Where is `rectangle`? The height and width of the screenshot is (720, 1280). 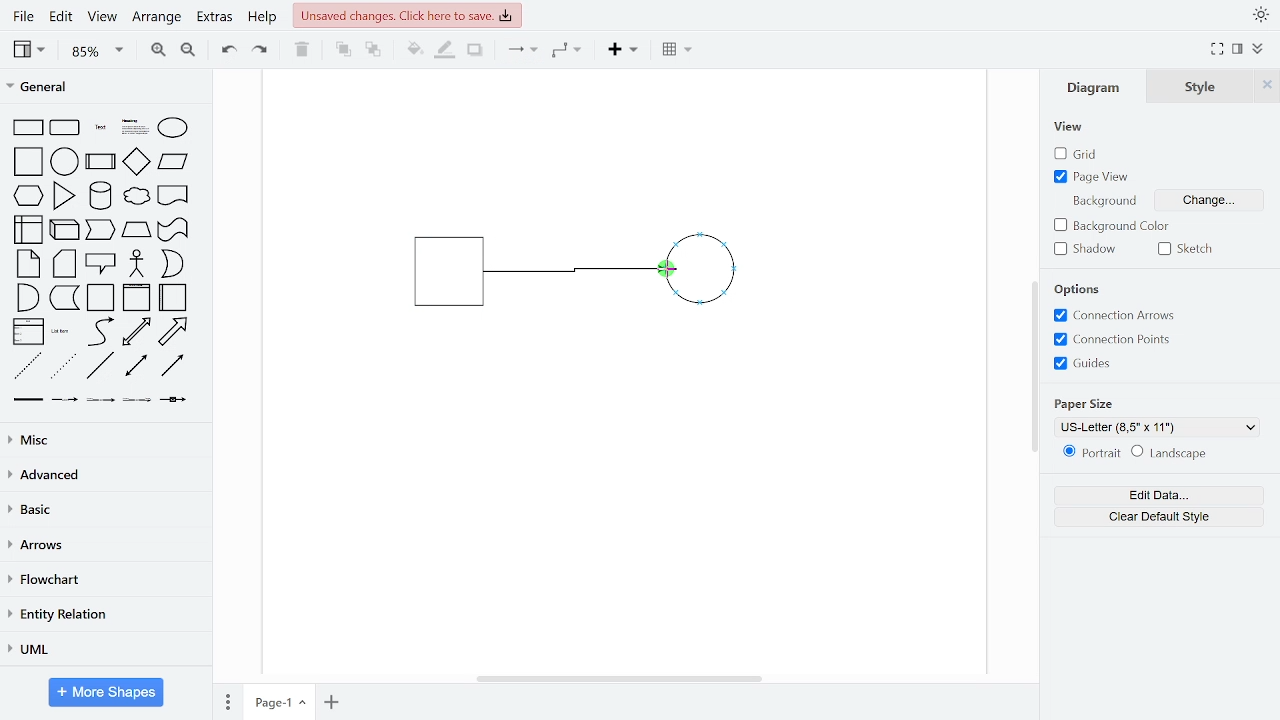
rectangle is located at coordinates (28, 128).